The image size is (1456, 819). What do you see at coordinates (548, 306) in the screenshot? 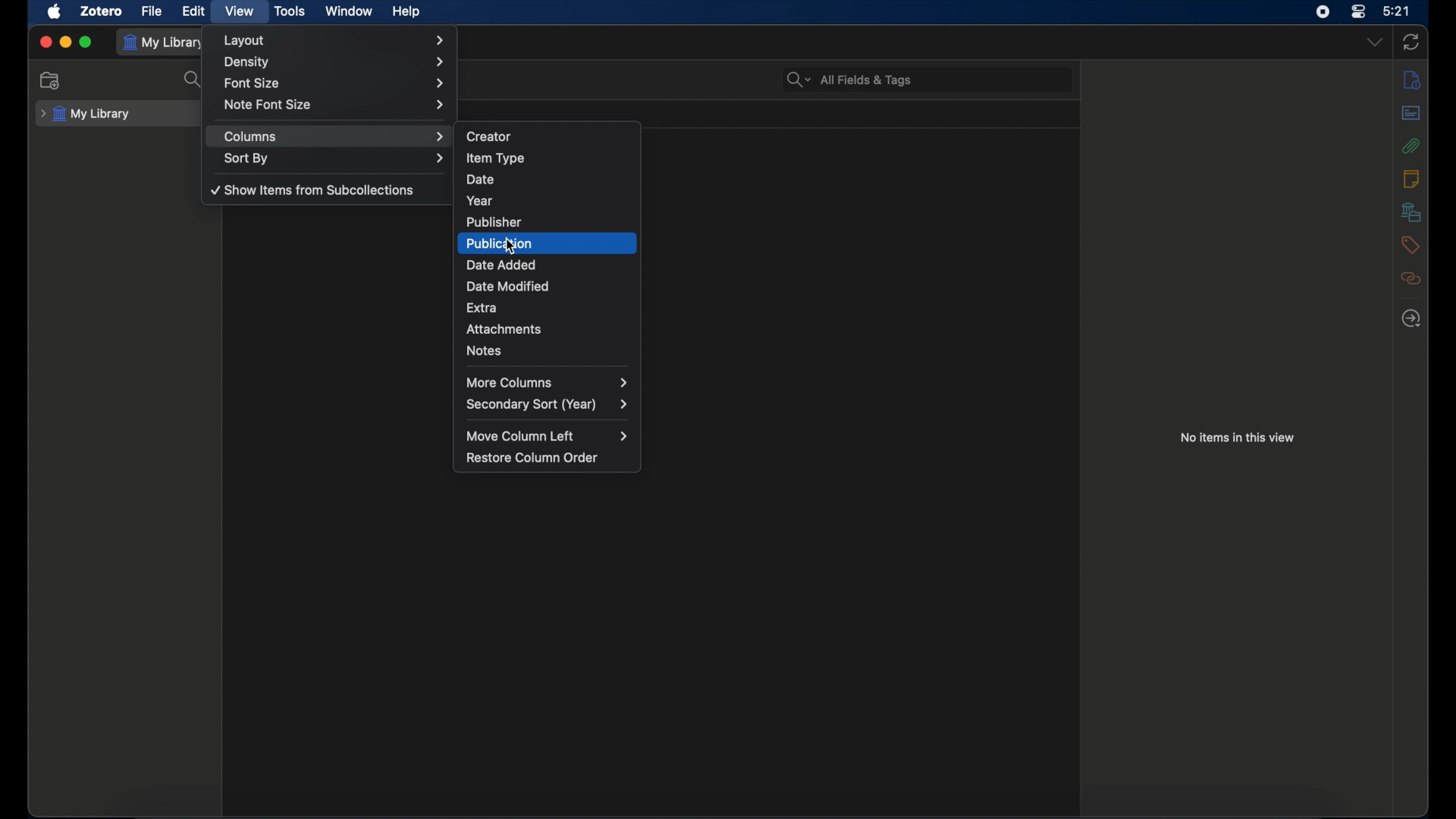
I see `extra` at bounding box center [548, 306].